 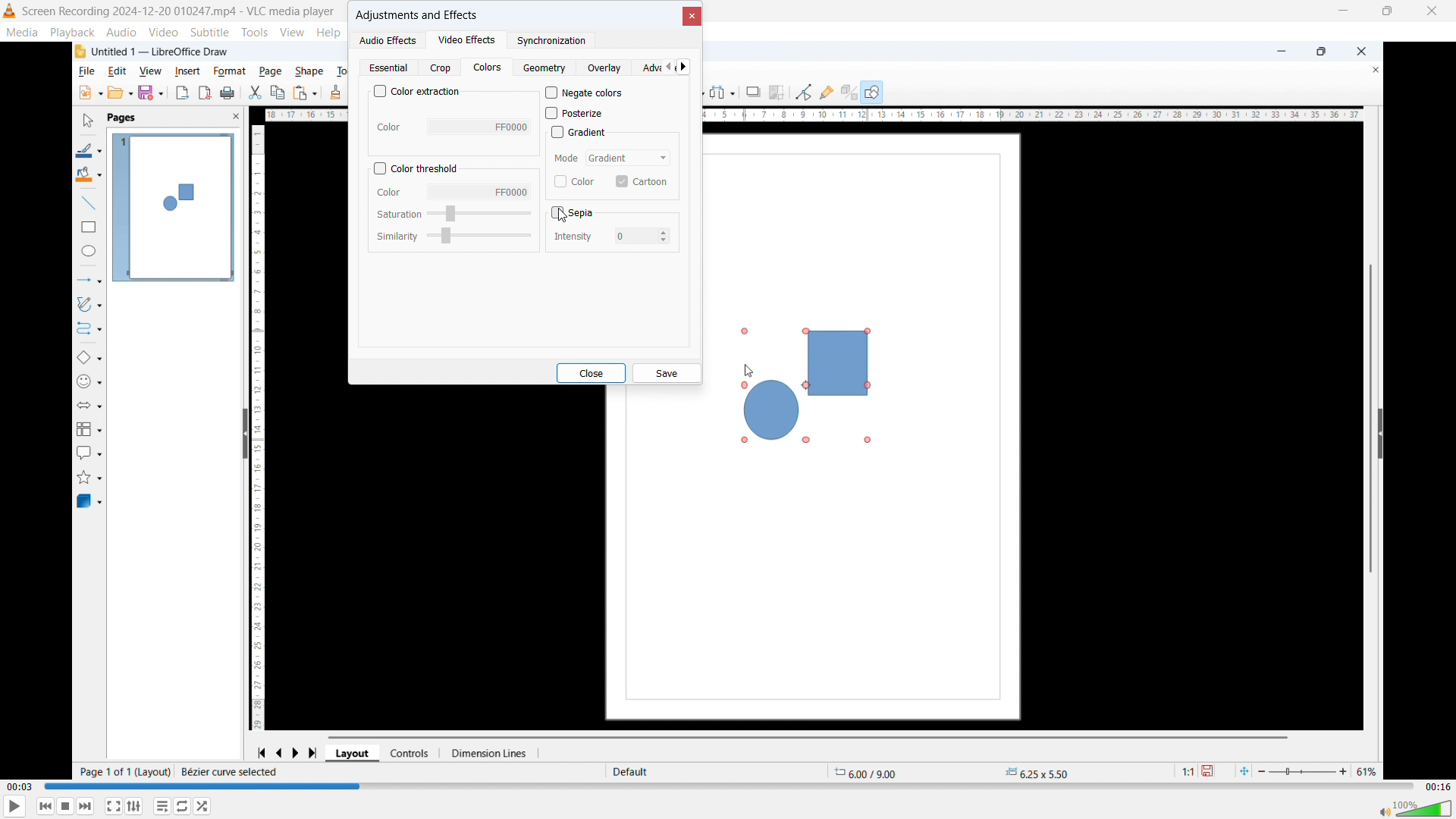 What do you see at coordinates (549, 40) in the screenshot?
I see `synchronisation ` at bounding box center [549, 40].